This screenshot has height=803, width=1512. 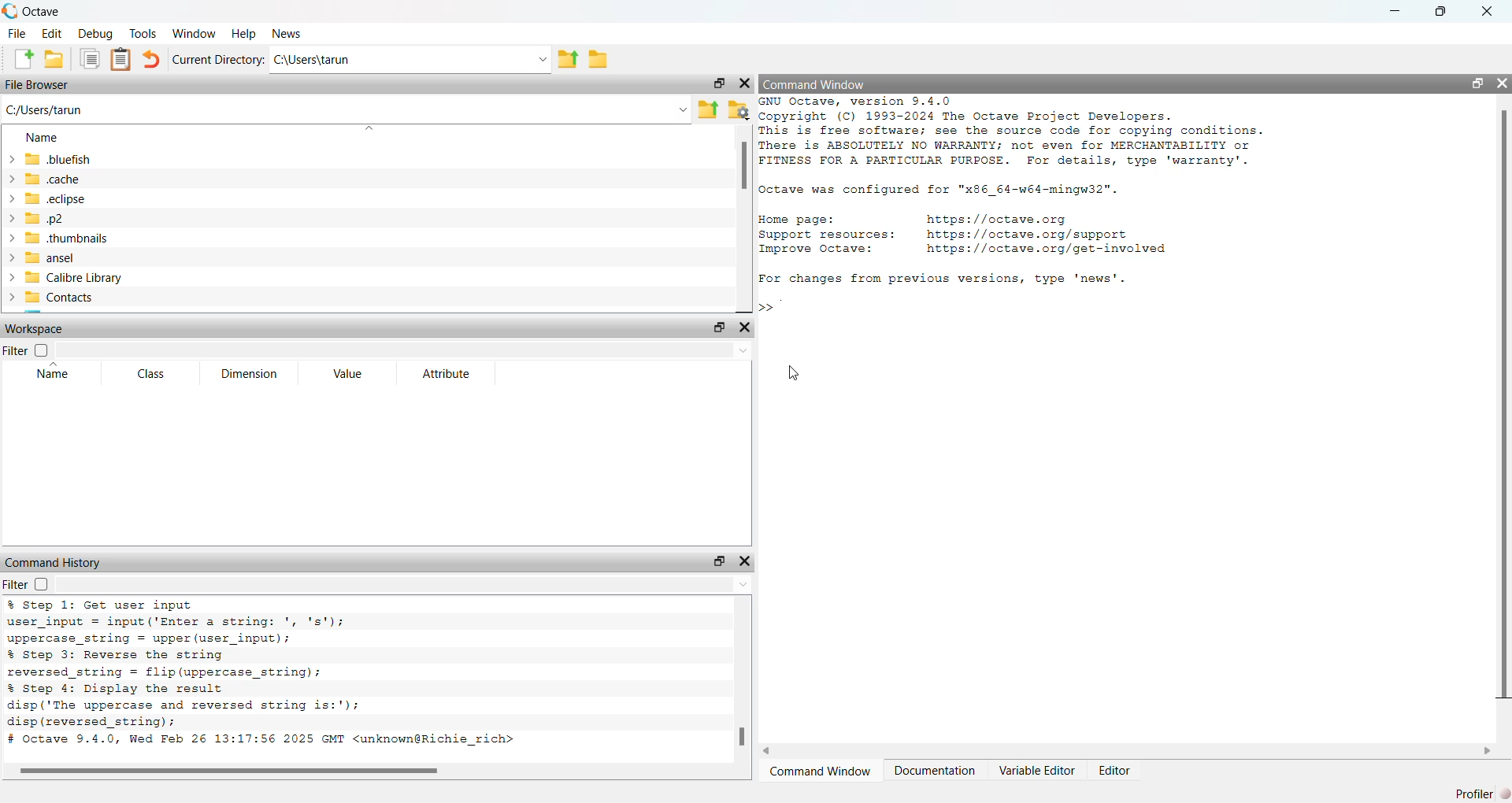 What do you see at coordinates (719, 561) in the screenshot?
I see `unlock widget` at bounding box center [719, 561].